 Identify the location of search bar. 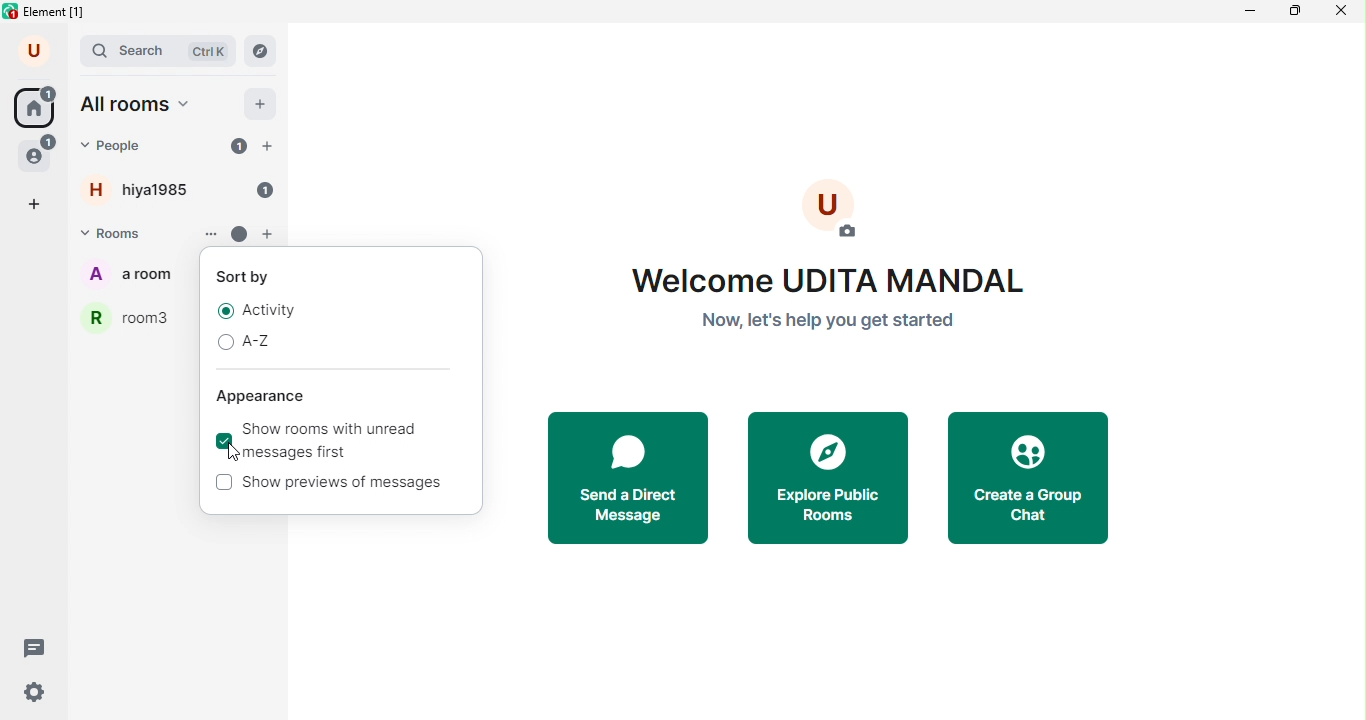
(161, 52).